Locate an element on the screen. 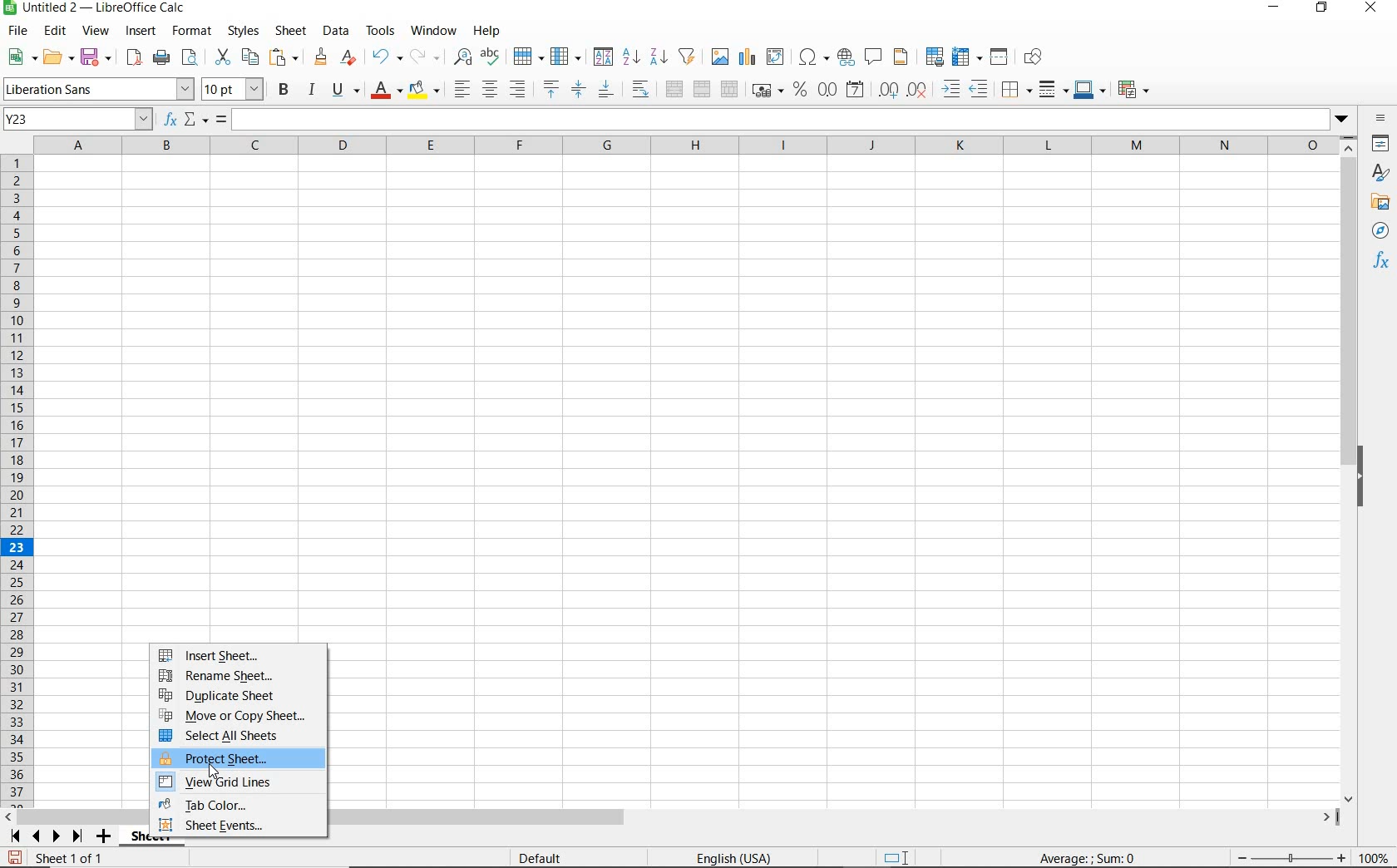 This screenshot has width=1397, height=868. SELECT ALL SHEETS is located at coordinates (229, 737).